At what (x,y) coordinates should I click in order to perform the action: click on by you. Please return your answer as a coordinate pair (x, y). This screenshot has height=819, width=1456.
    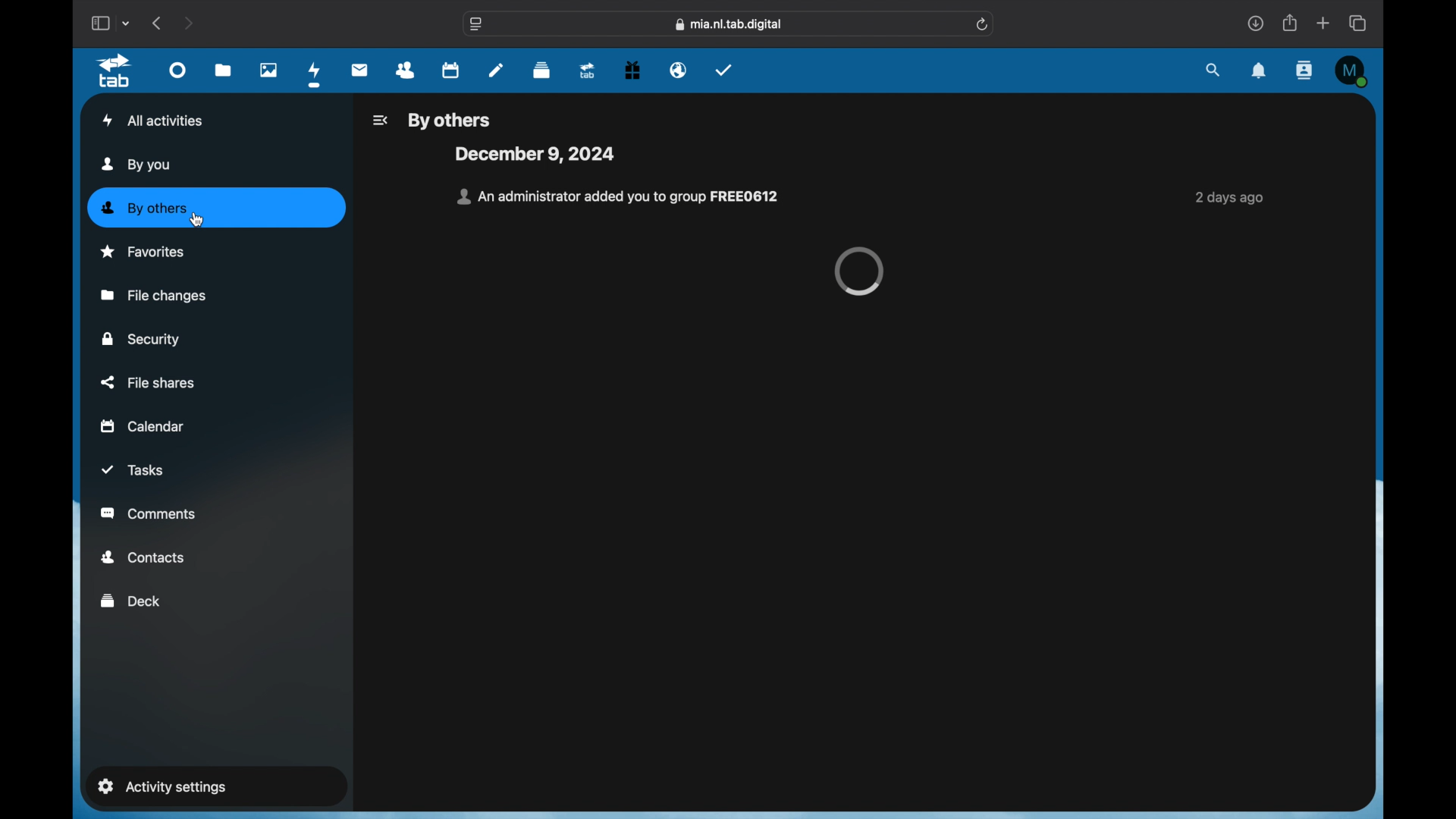
    Looking at the image, I should click on (136, 165).